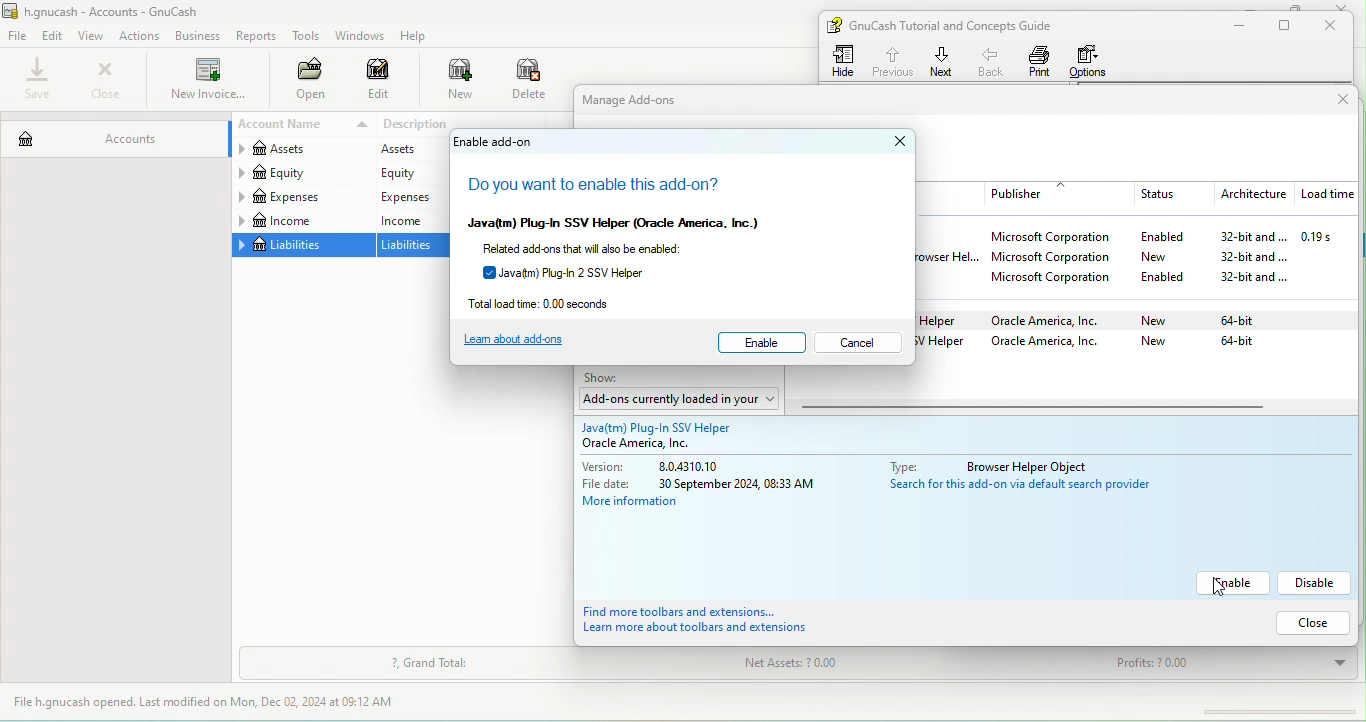 This screenshot has height=722, width=1366. What do you see at coordinates (112, 134) in the screenshot?
I see `accounts` at bounding box center [112, 134].